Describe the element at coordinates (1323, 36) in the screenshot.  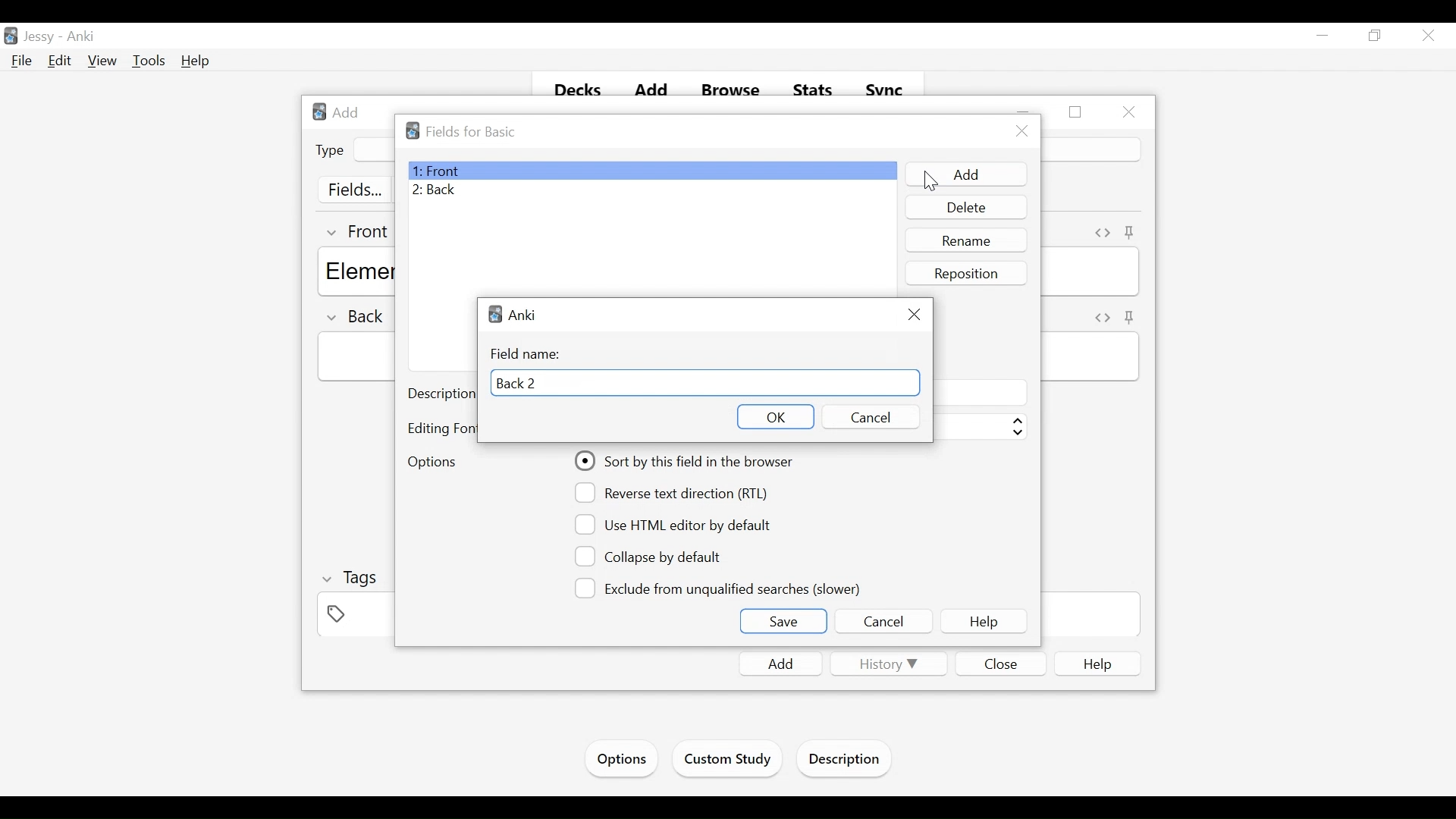
I see `minimize` at that location.